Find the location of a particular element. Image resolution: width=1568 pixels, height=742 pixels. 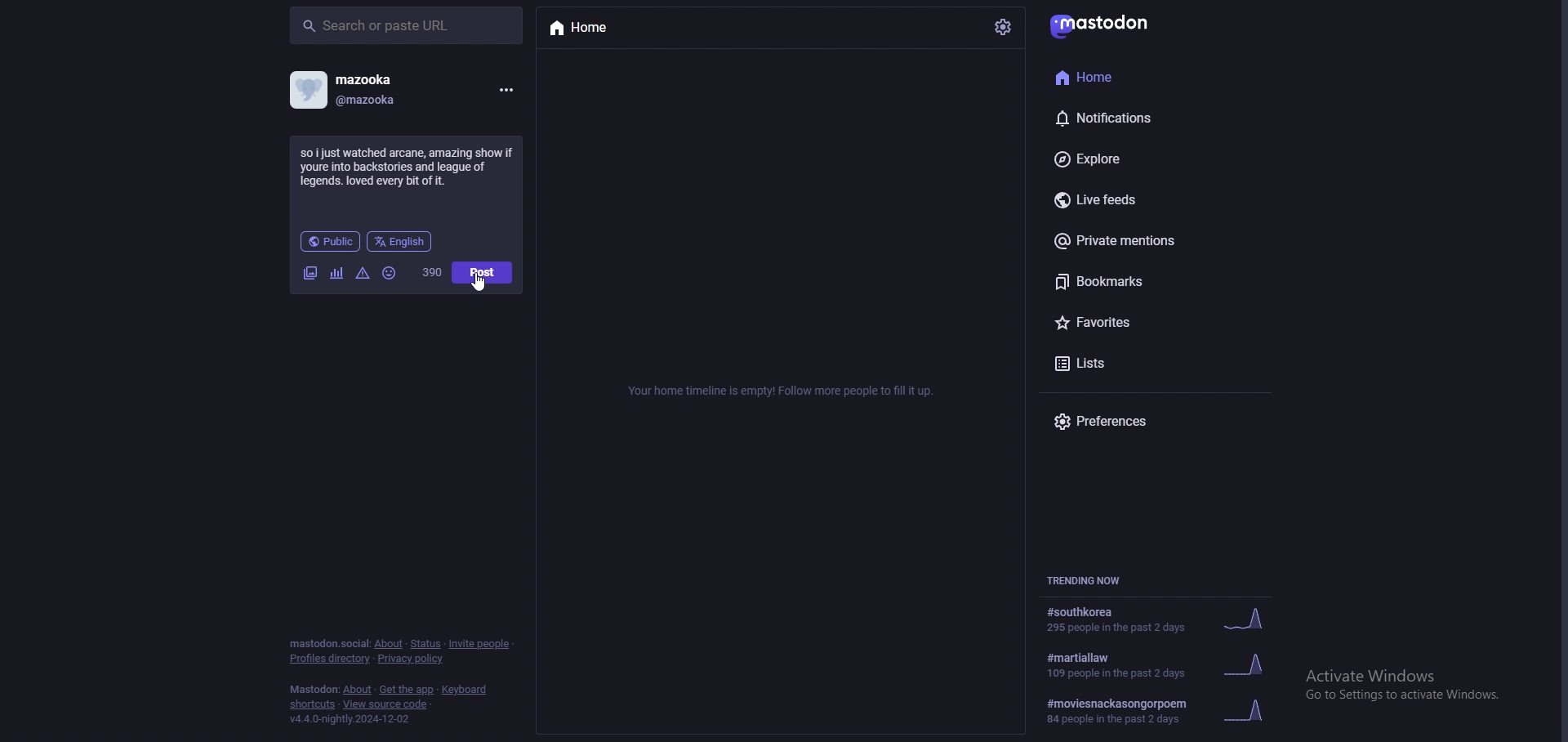

favourites is located at coordinates (1127, 322).